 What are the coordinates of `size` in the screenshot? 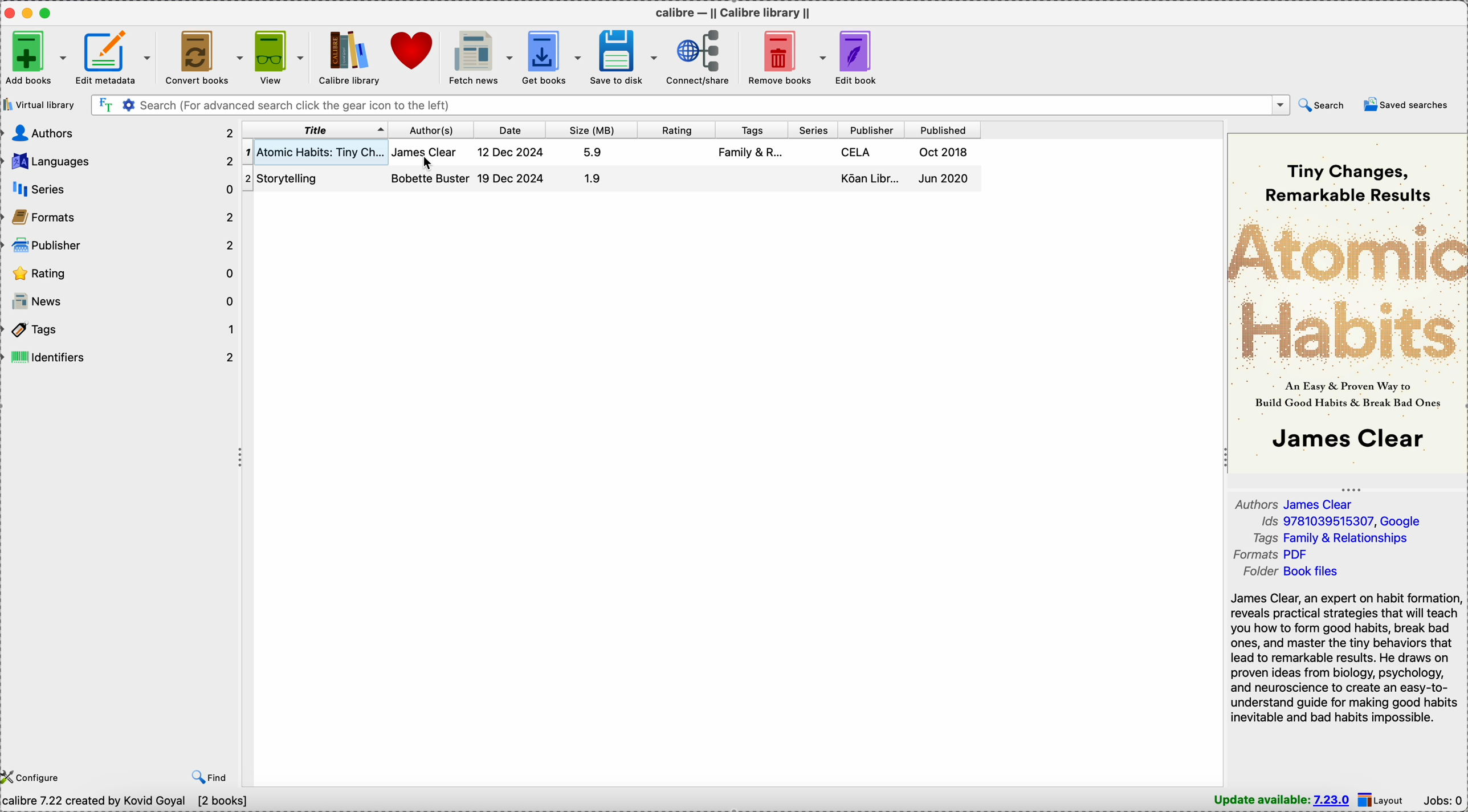 It's located at (589, 130).